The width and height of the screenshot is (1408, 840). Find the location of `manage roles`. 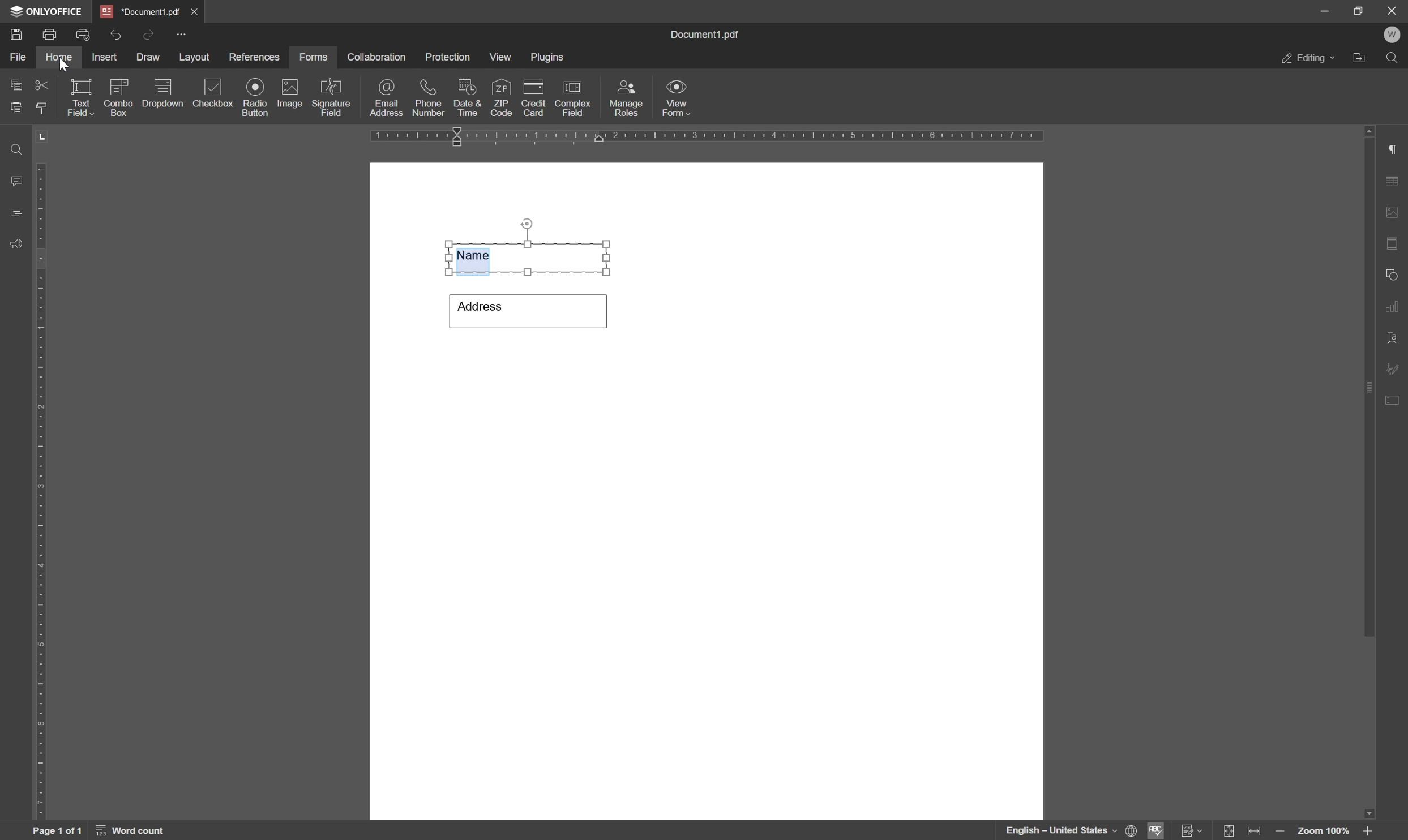

manage roles is located at coordinates (626, 100).